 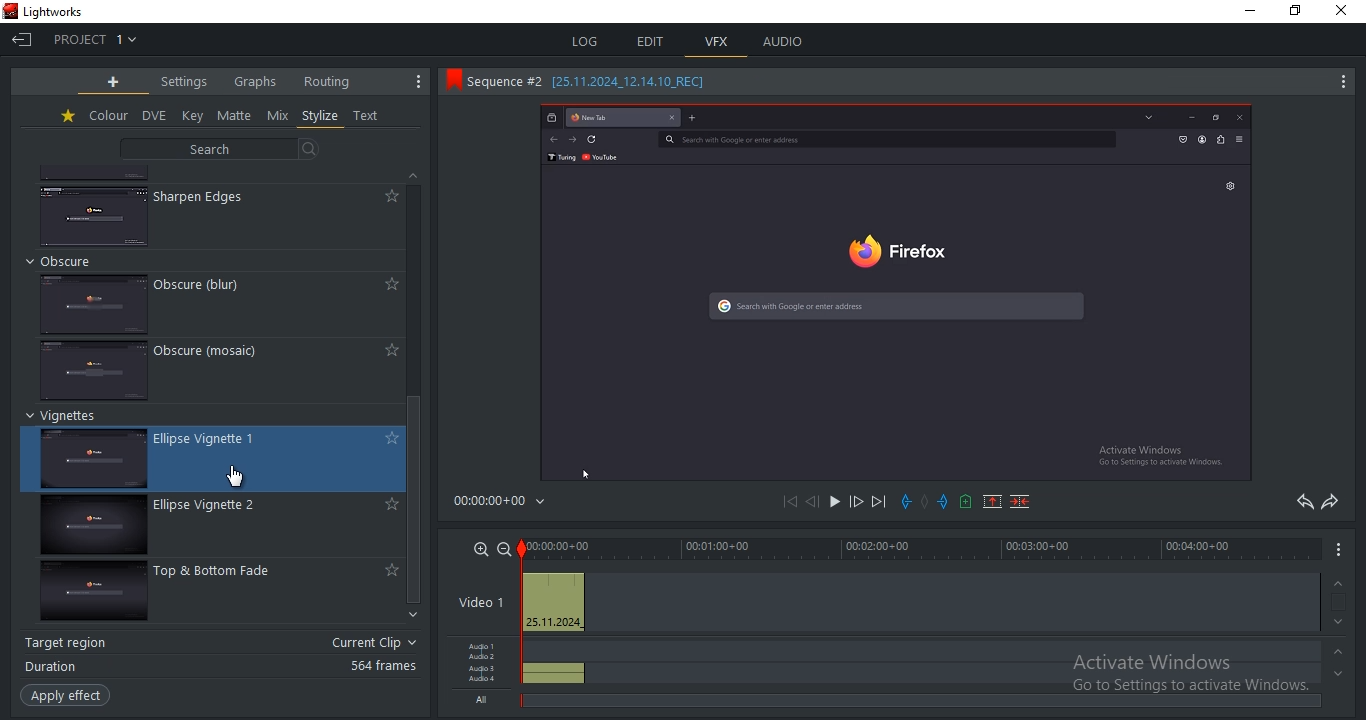 I want to click on Thumbnail, so click(x=94, y=213).